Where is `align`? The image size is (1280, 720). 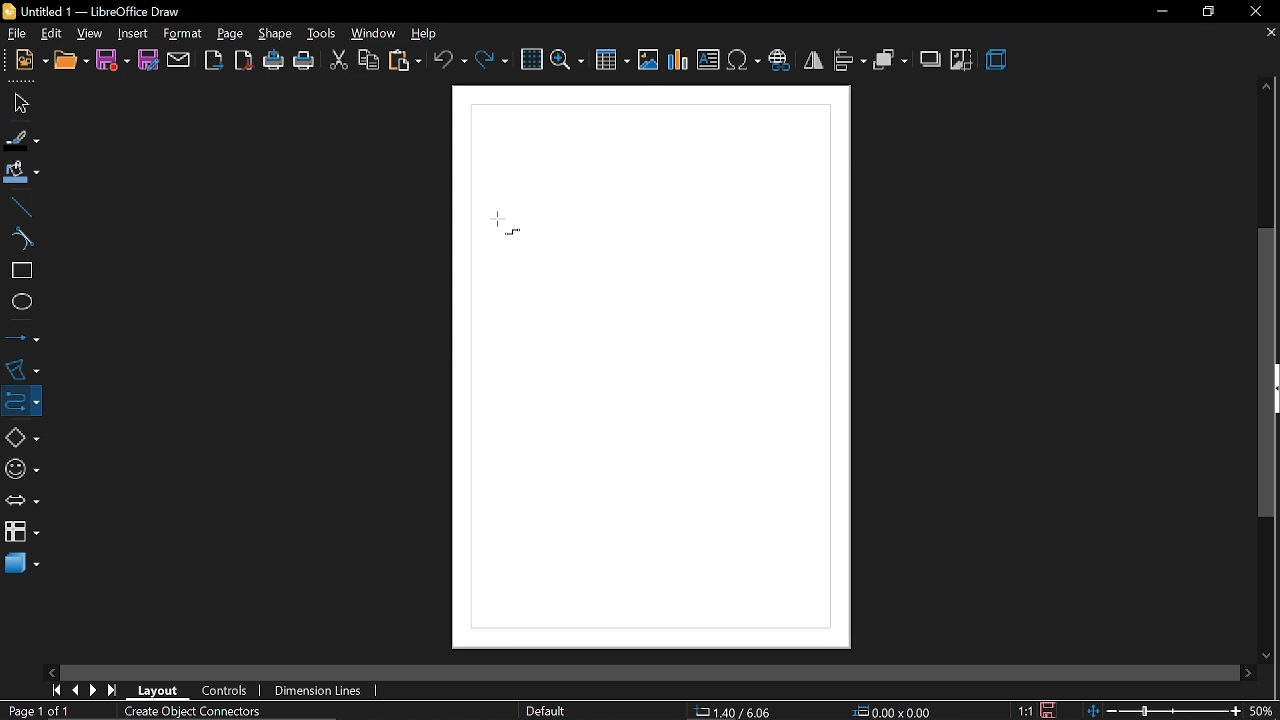
align is located at coordinates (850, 62).